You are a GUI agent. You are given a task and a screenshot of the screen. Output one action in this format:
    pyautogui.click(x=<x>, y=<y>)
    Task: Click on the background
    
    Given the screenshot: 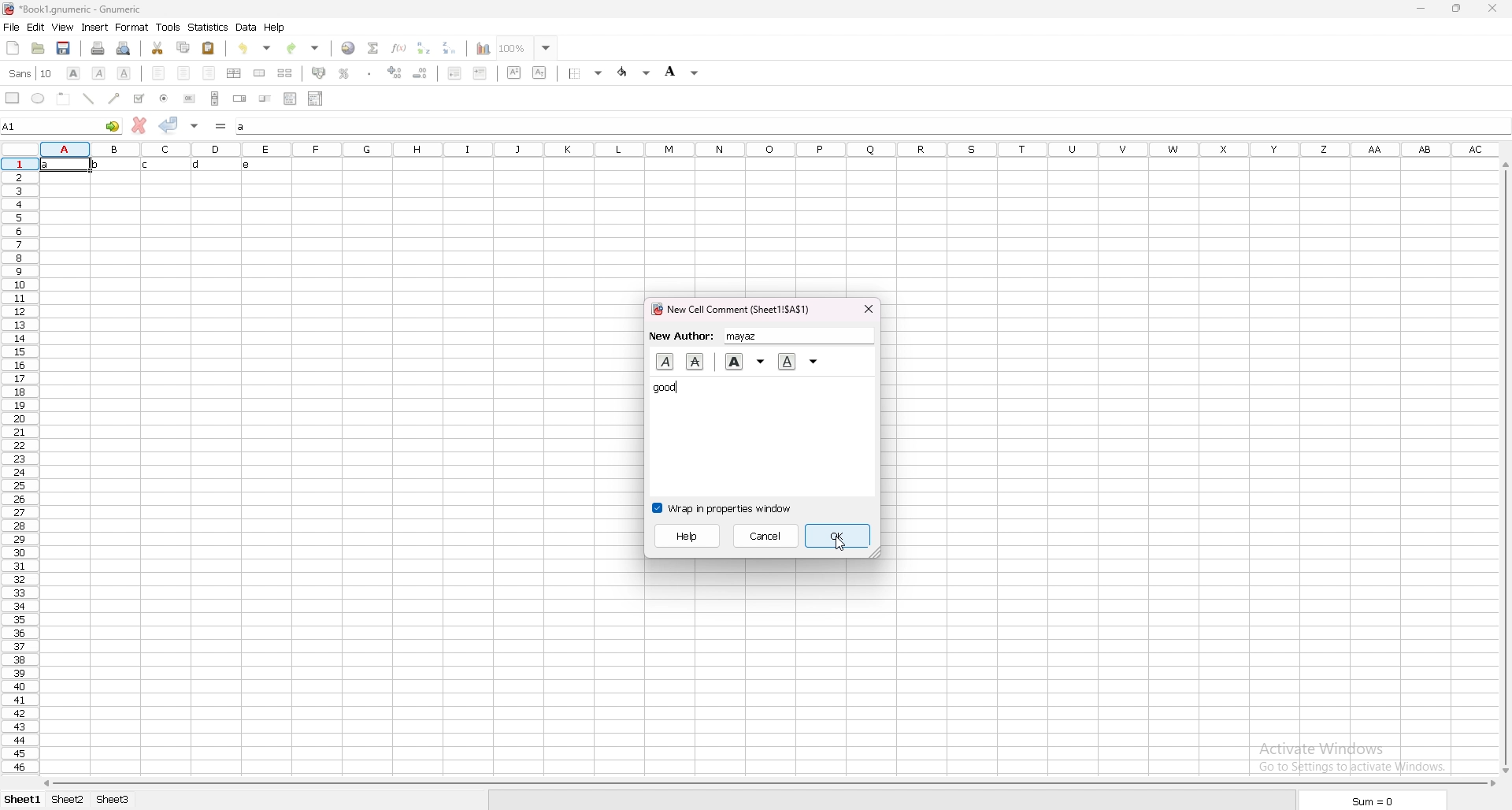 What is the action you would take?
    pyautogui.click(x=683, y=71)
    